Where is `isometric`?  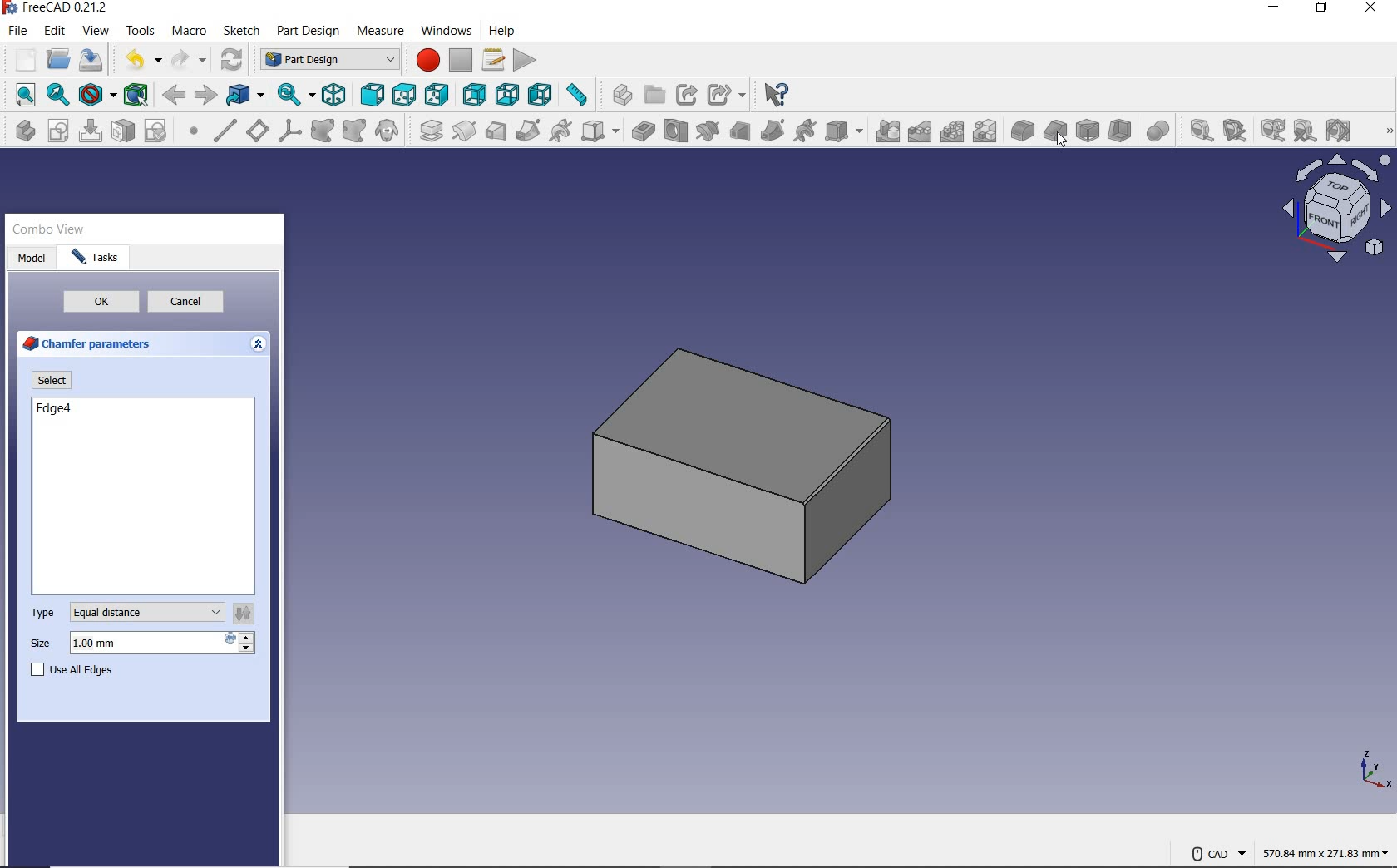
isometric is located at coordinates (333, 95).